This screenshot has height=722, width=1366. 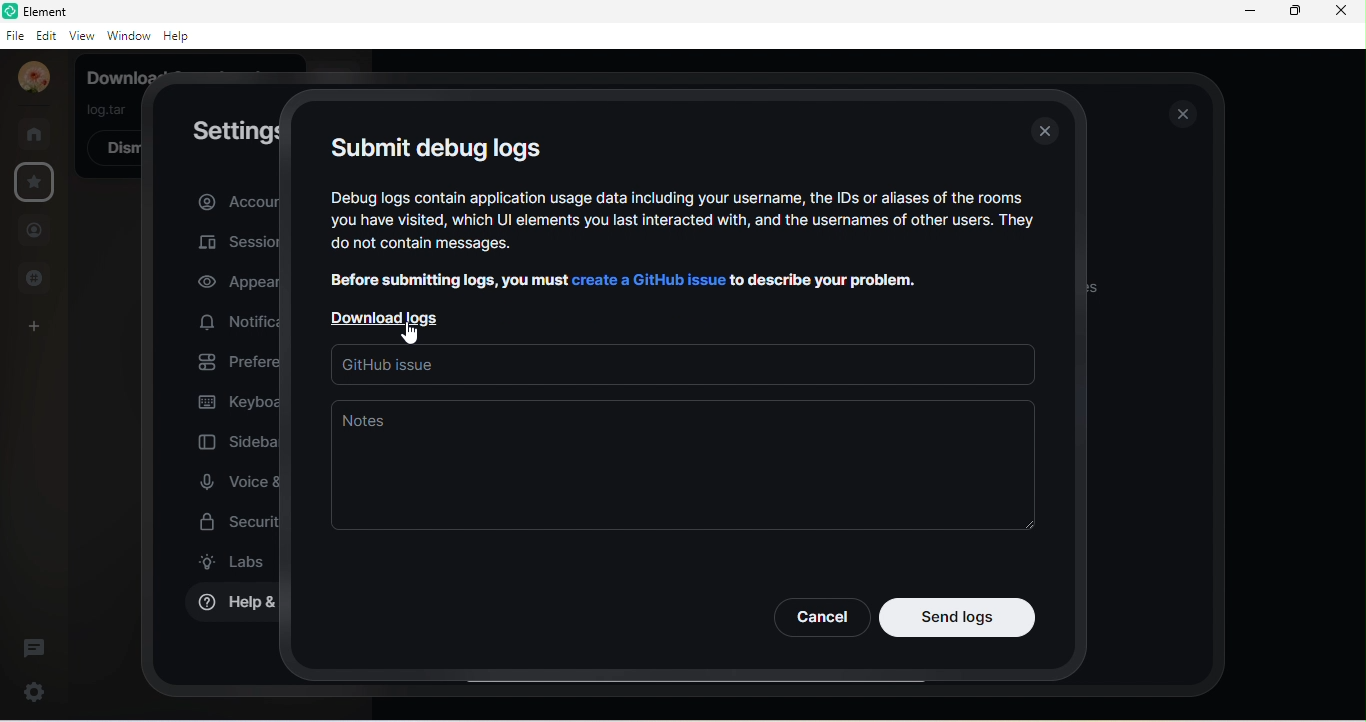 I want to click on download logs, so click(x=392, y=315).